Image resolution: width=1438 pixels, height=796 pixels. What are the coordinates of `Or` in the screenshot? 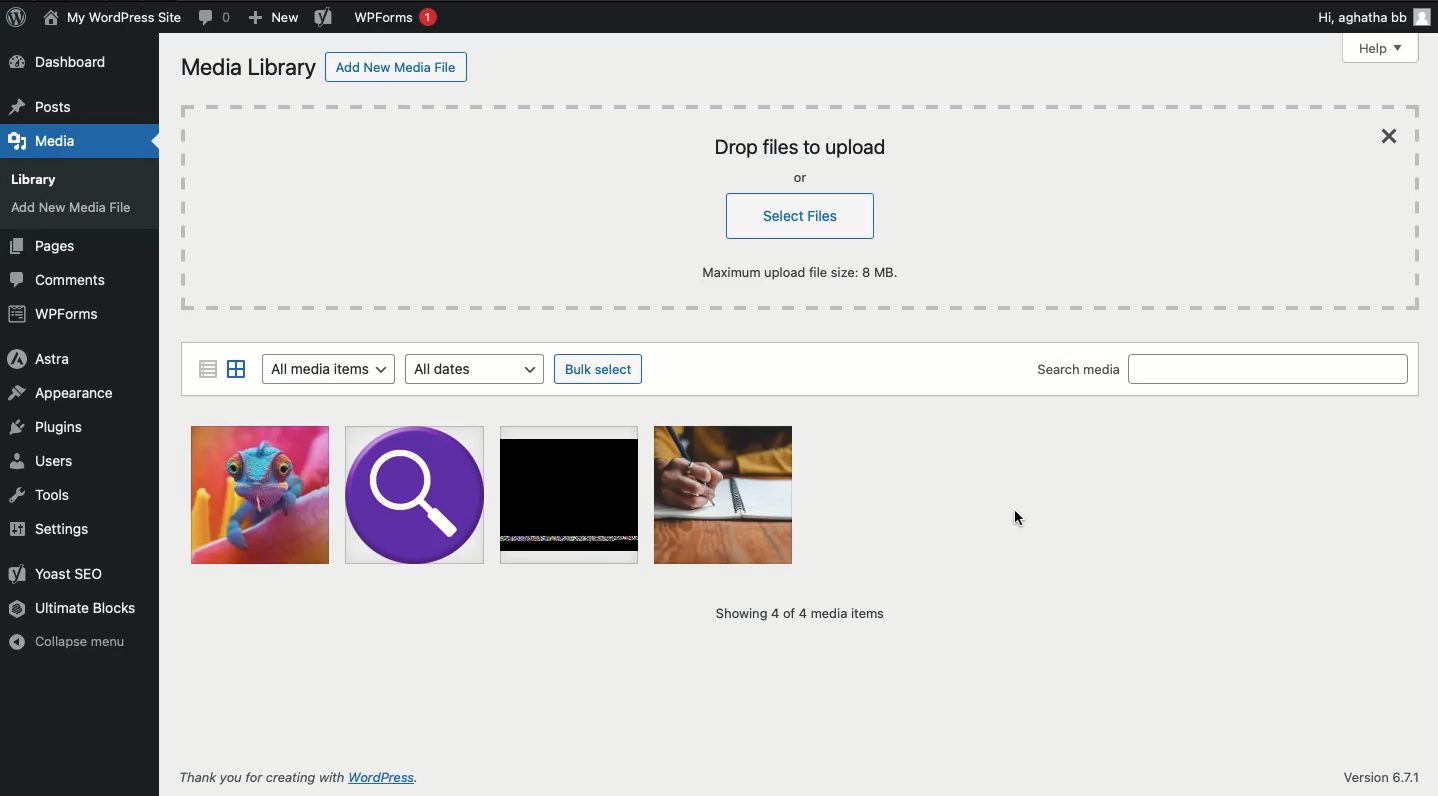 It's located at (802, 179).